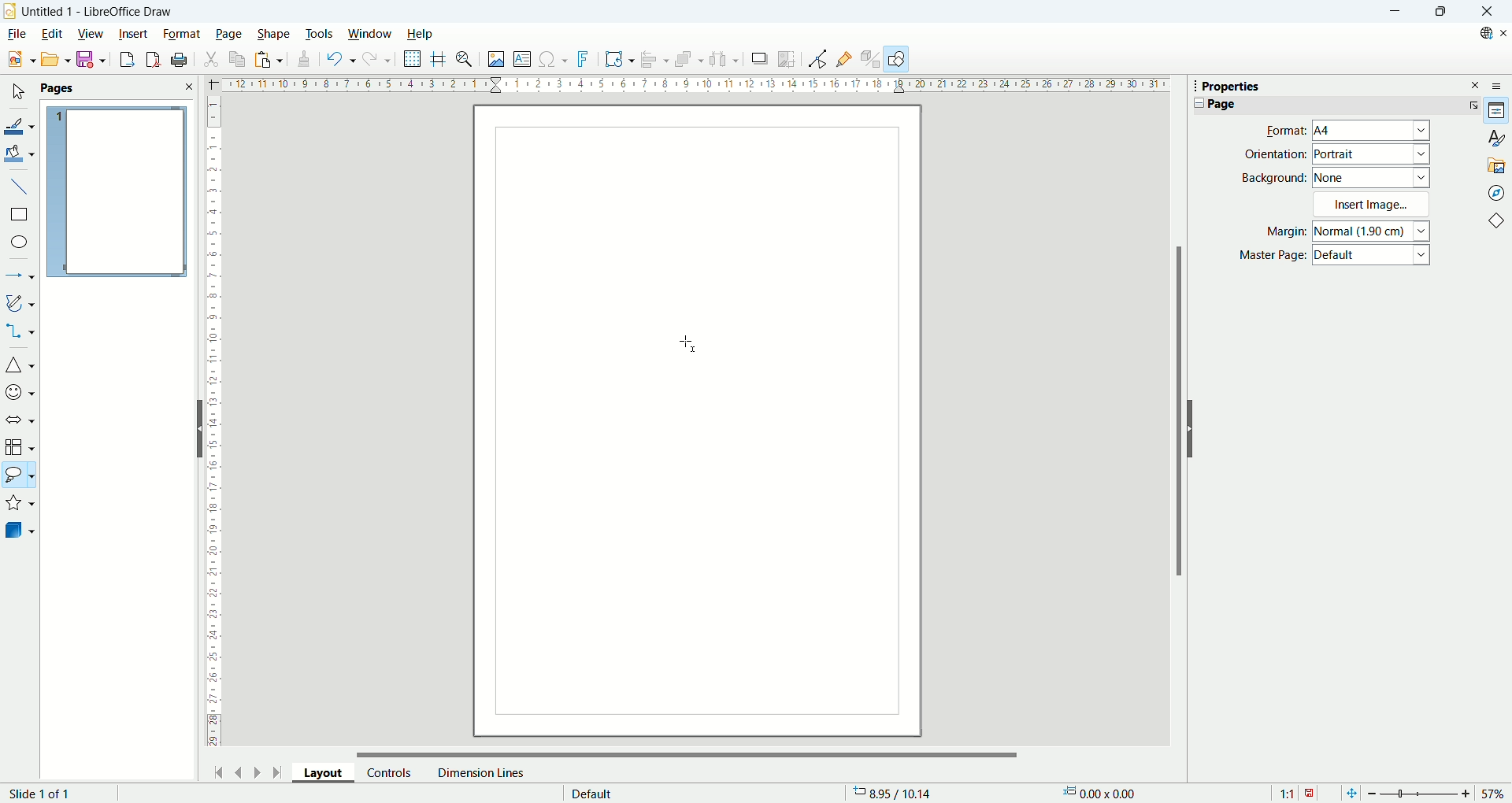 The height and width of the screenshot is (803, 1512). What do you see at coordinates (1373, 257) in the screenshot?
I see `Default` at bounding box center [1373, 257].